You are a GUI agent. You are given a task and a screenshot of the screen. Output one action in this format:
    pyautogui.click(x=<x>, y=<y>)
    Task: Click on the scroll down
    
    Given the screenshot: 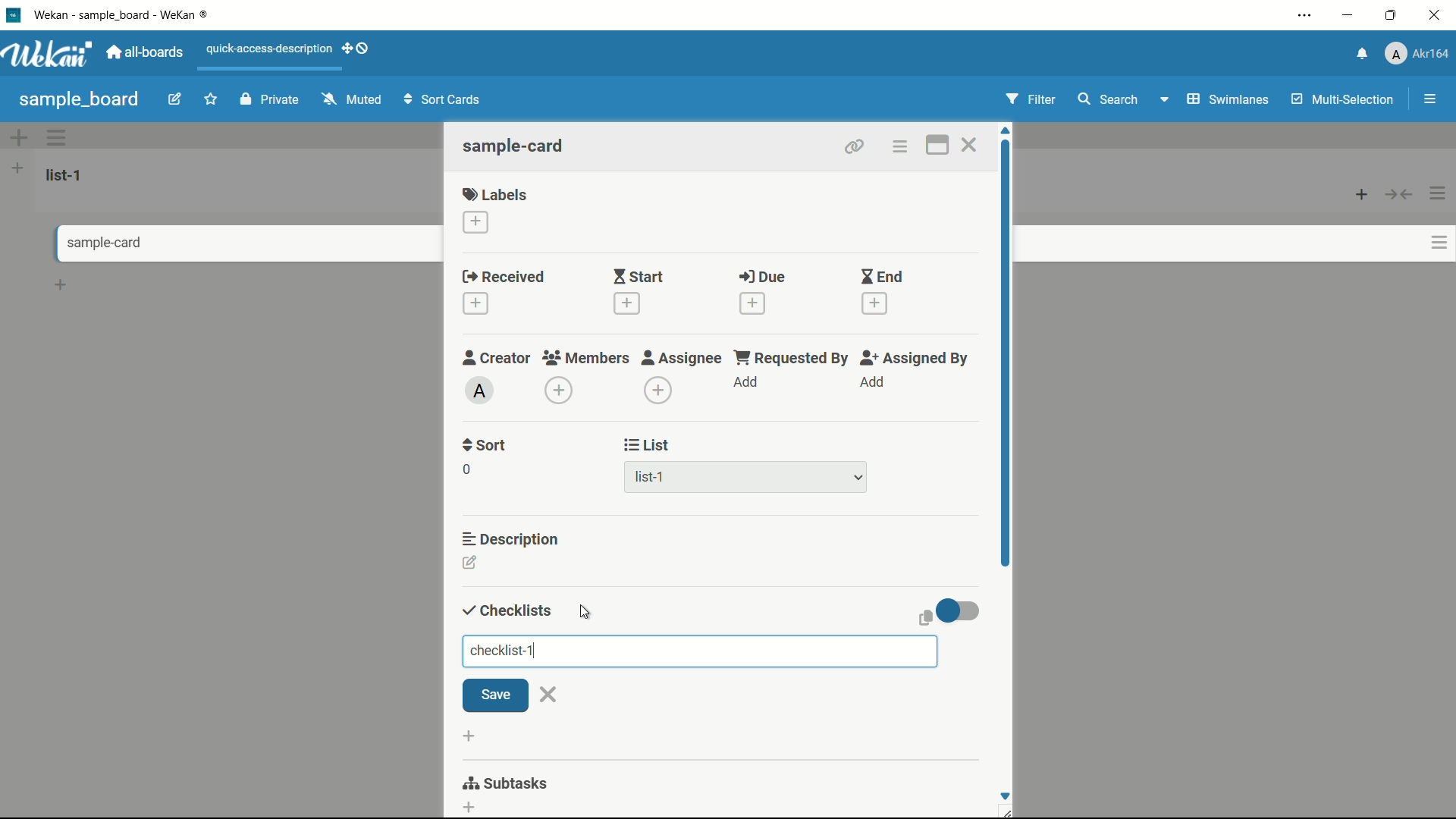 What is the action you would take?
    pyautogui.click(x=1004, y=795)
    